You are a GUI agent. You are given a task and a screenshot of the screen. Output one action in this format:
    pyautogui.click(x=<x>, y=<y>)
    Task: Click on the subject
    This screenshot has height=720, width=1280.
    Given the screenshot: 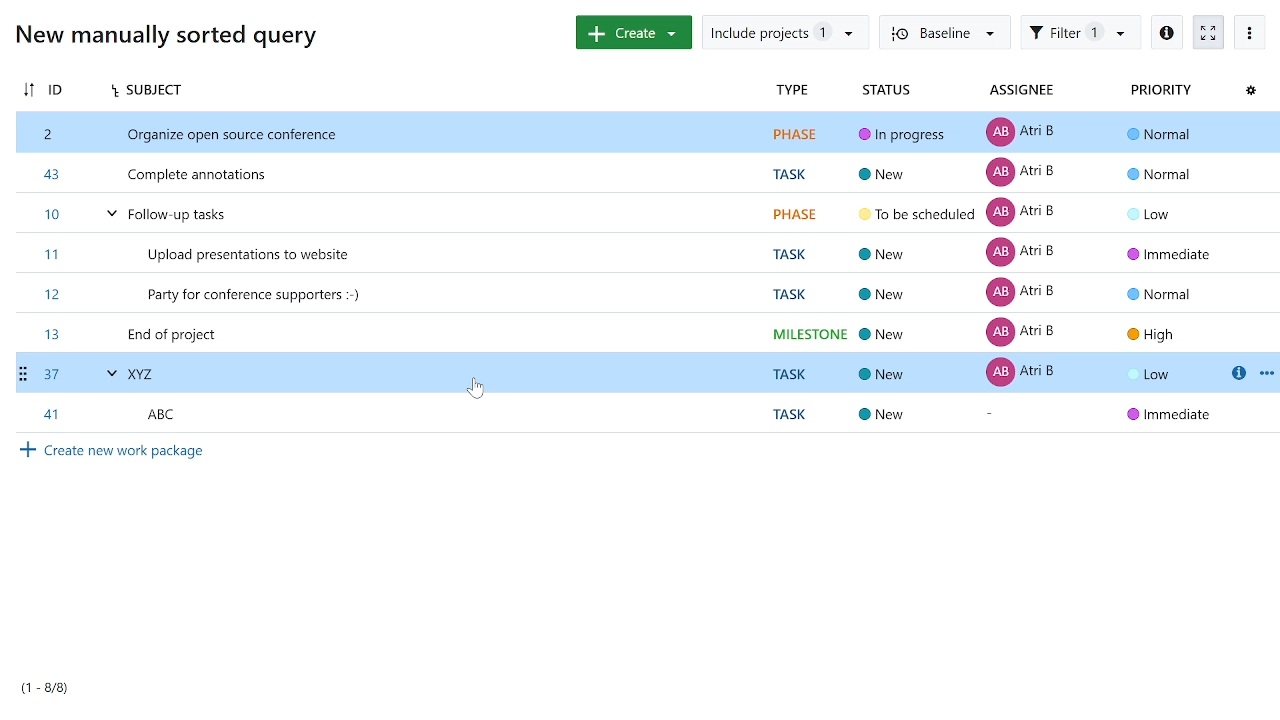 What is the action you would take?
    pyautogui.click(x=425, y=92)
    